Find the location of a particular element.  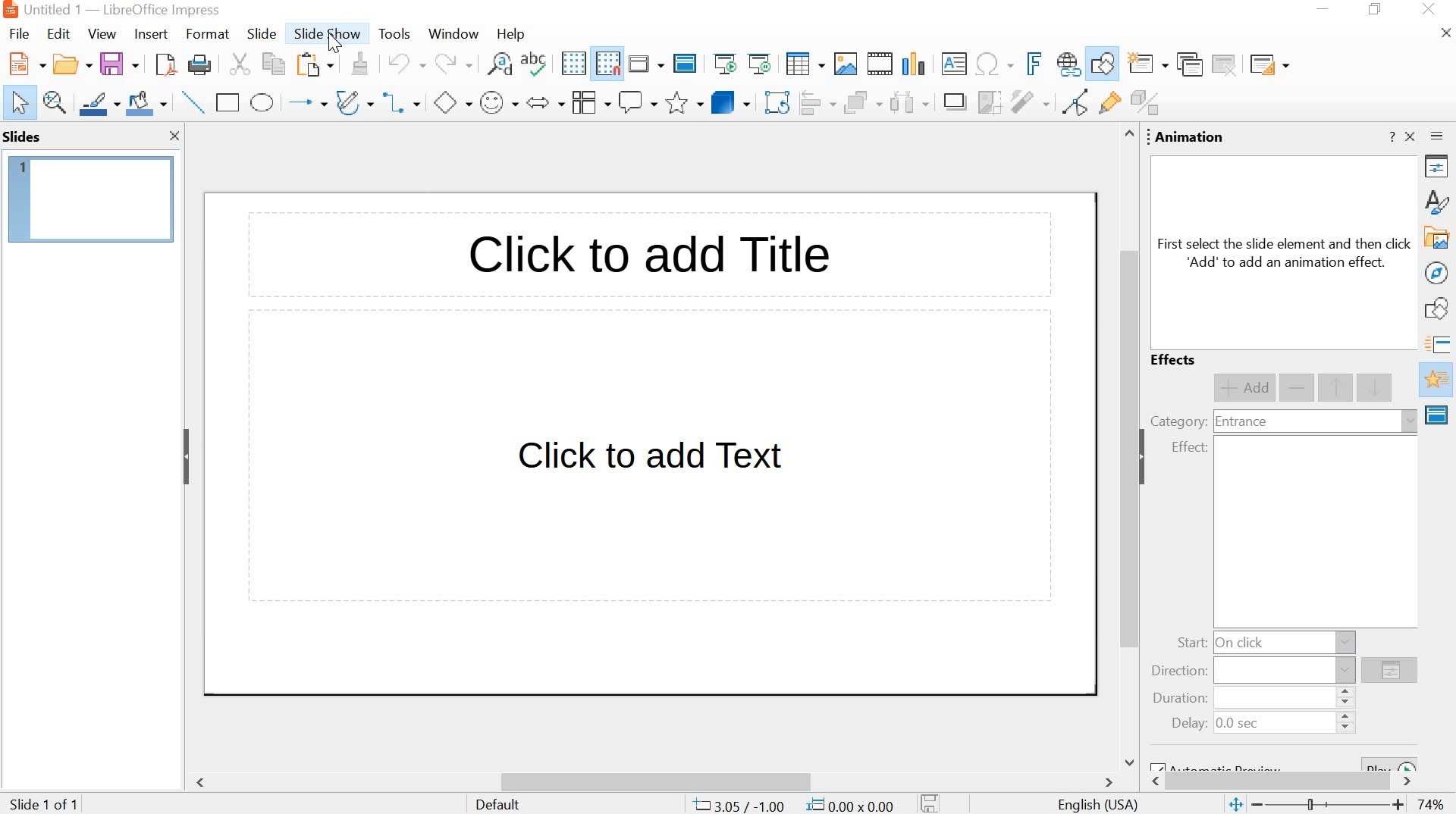

display grid is located at coordinates (573, 64).